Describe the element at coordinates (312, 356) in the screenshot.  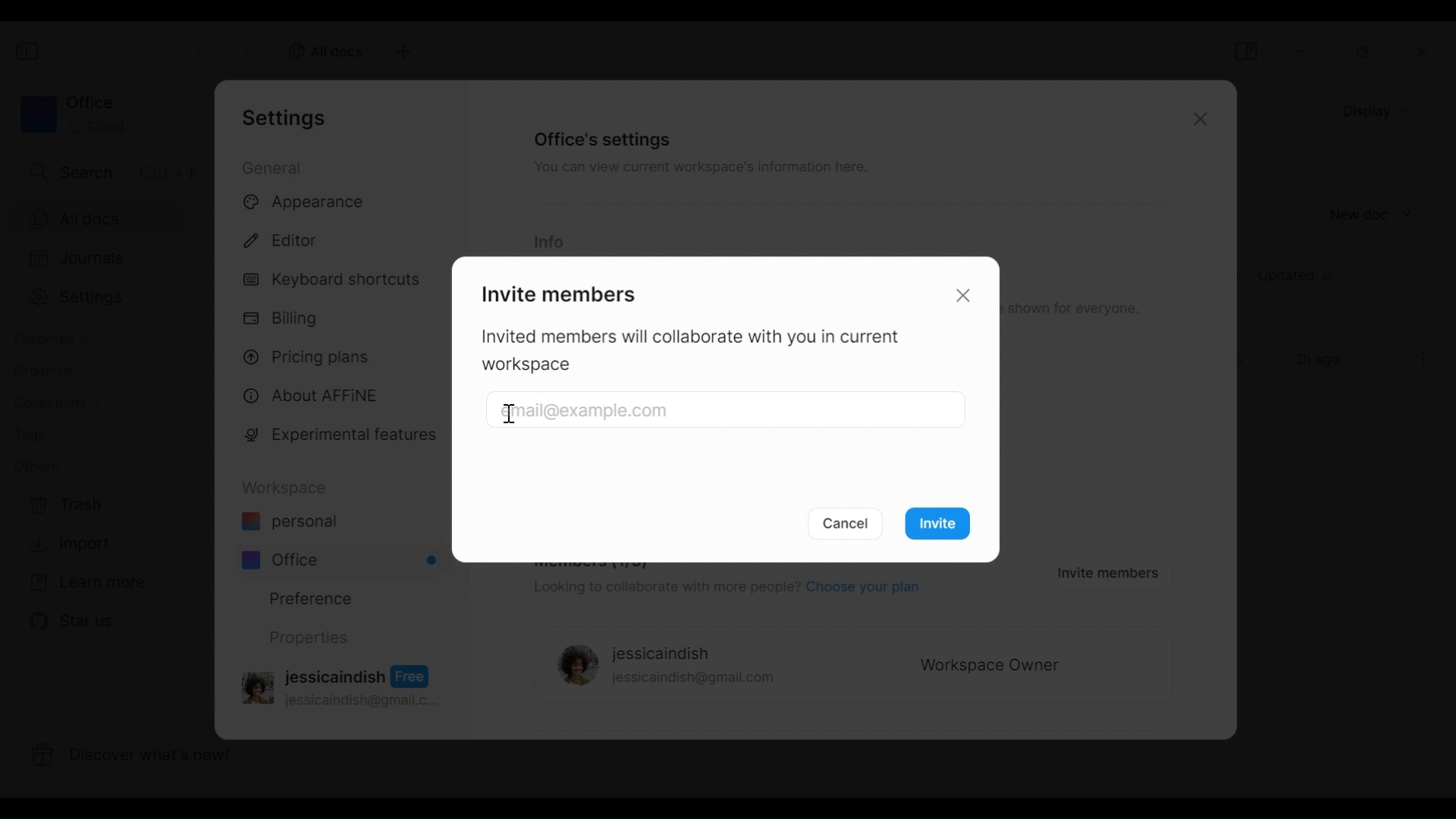
I see `Pricing plans` at that location.